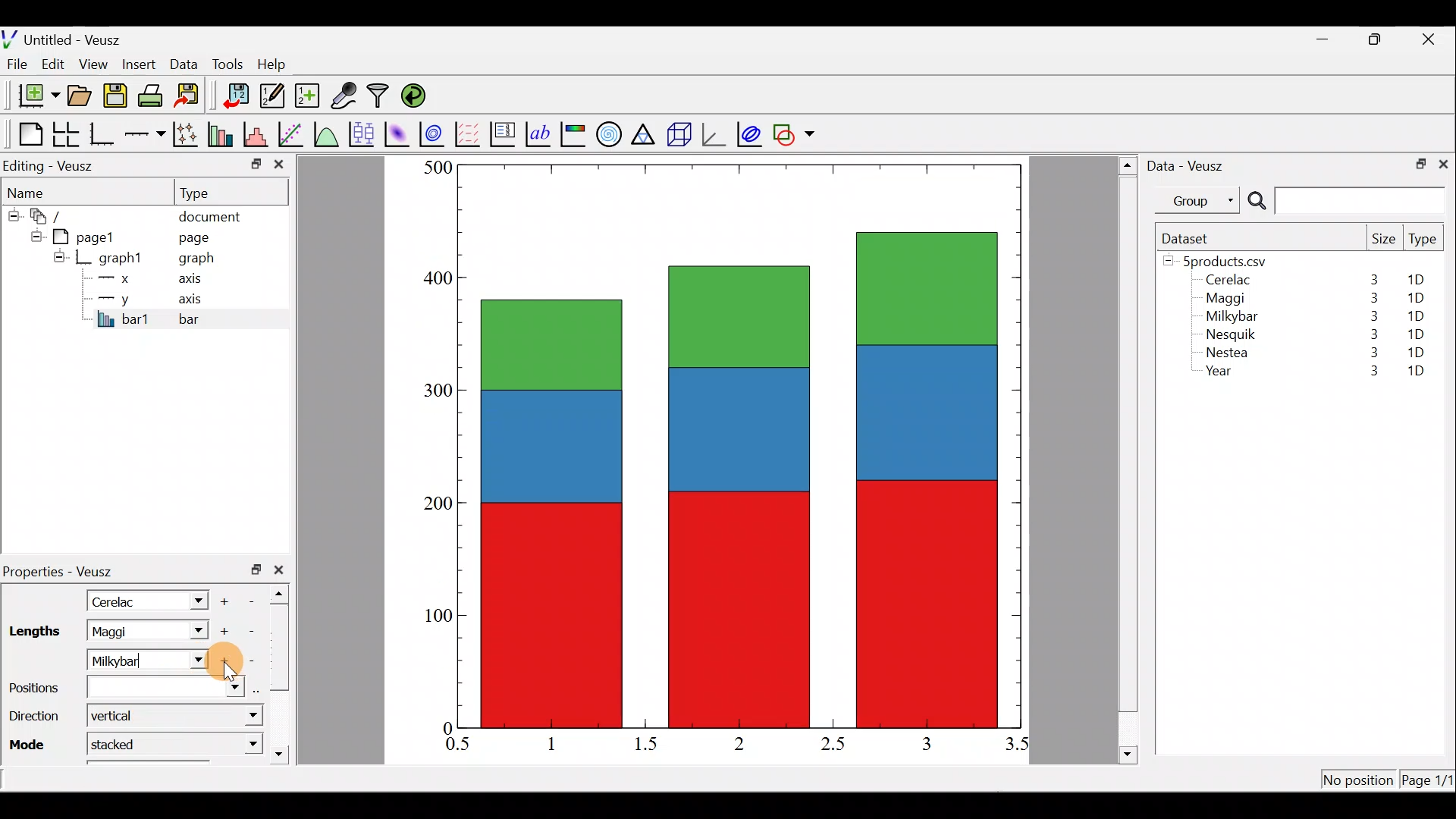 The width and height of the screenshot is (1456, 819). What do you see at coordinates (199, 661) in the screenshot?
I see `Lengths dropdown` at bounding box center [199, 661].